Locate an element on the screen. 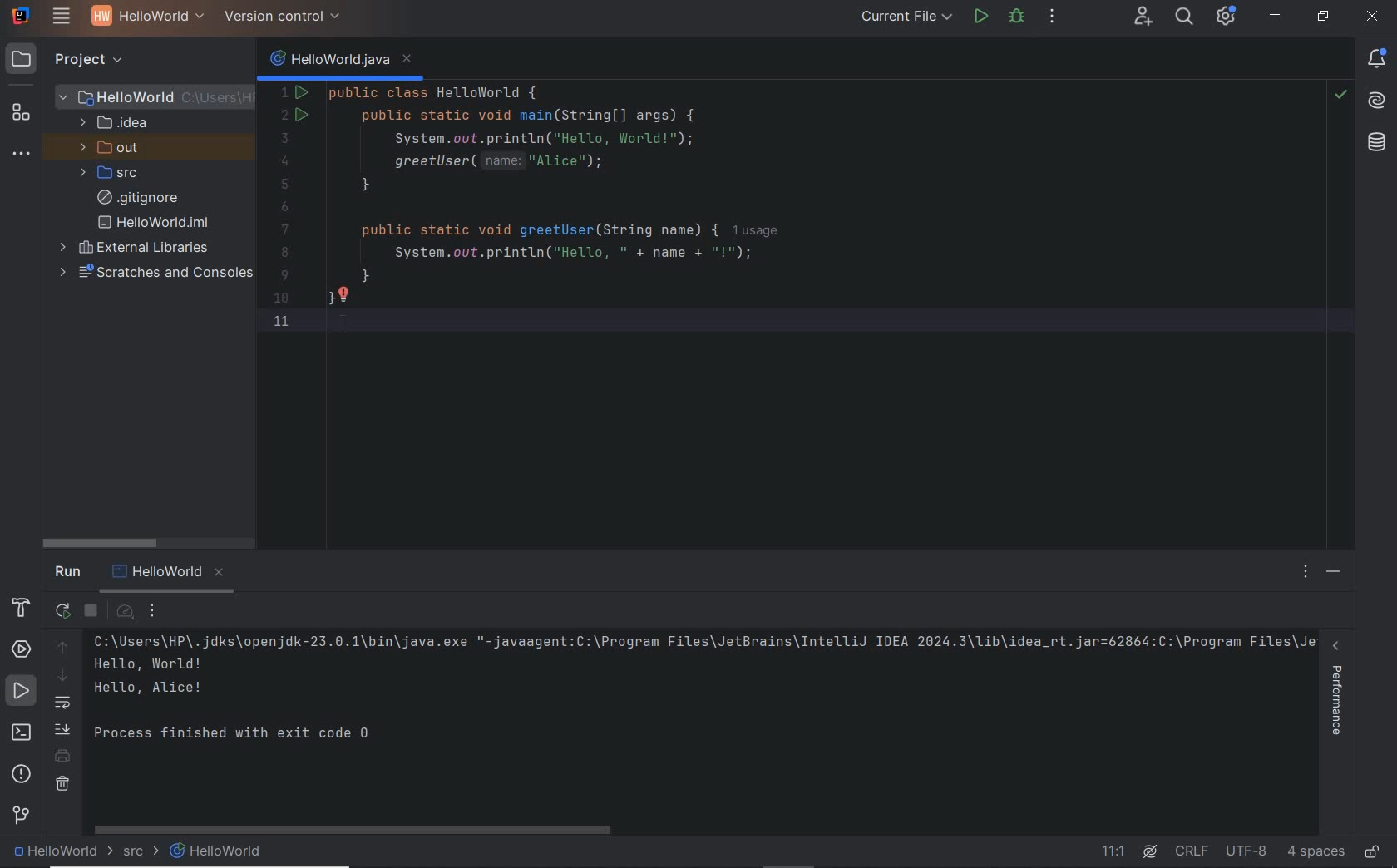  search is located at coordinates (1186, 17).